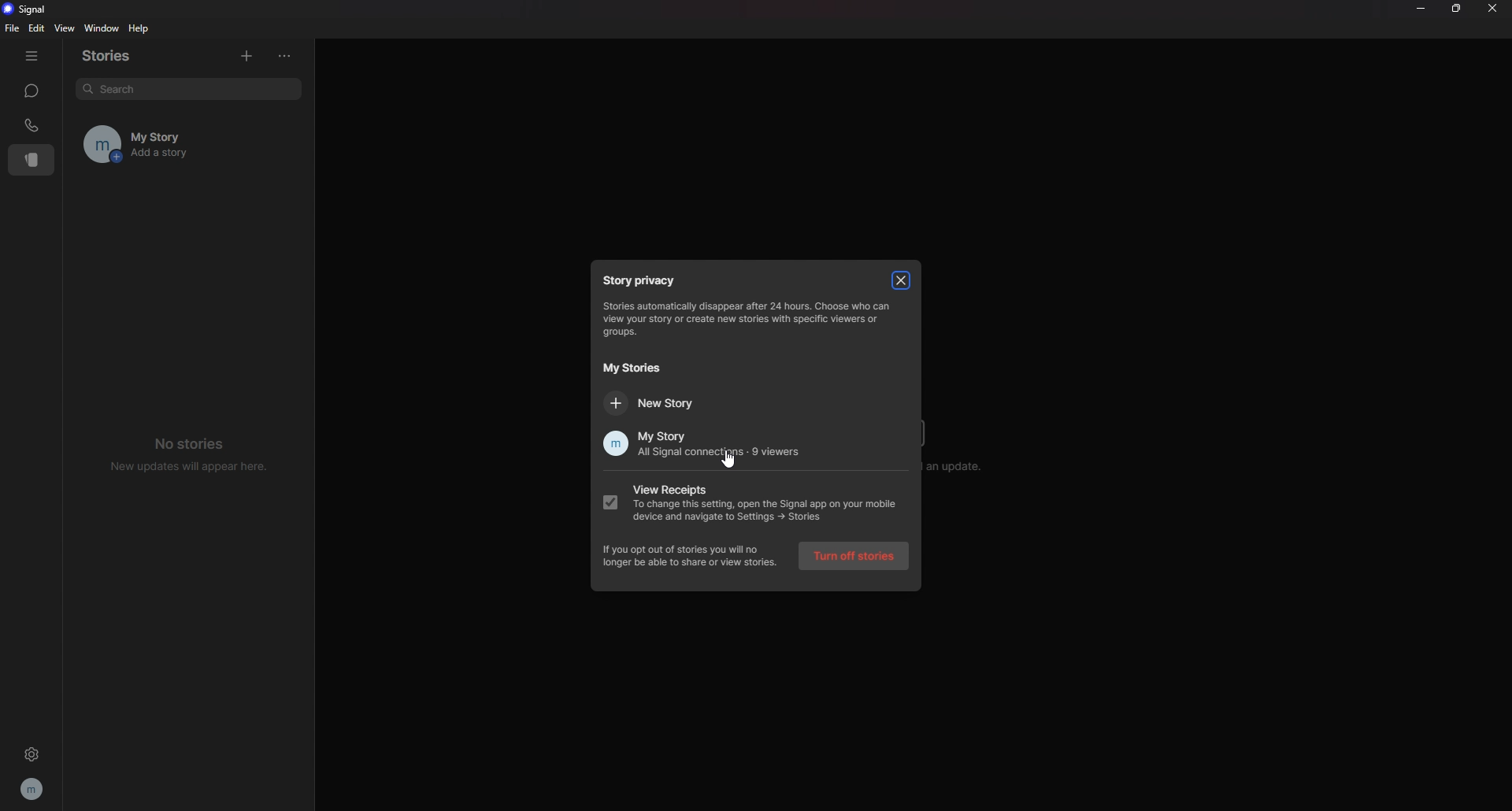  What do you see at coordinates (191, 453) in the screenshot?
I see `no stories new updates will appear here` at bounding box center [191, 453].